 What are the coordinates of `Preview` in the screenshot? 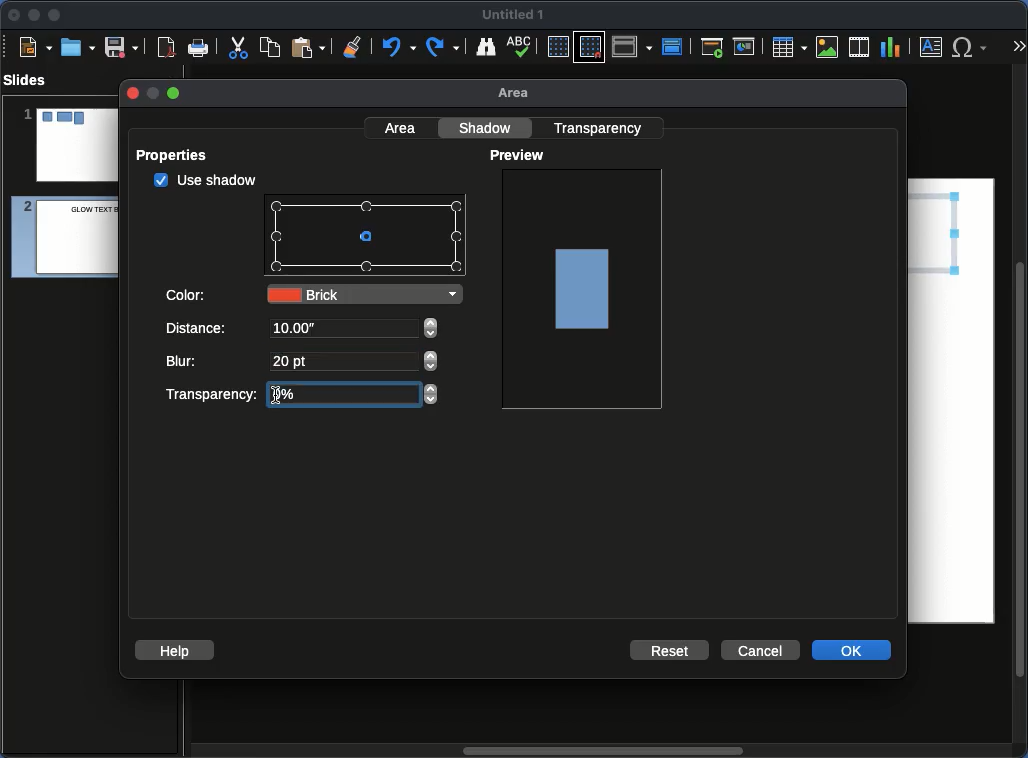 It's located at (520, 156).